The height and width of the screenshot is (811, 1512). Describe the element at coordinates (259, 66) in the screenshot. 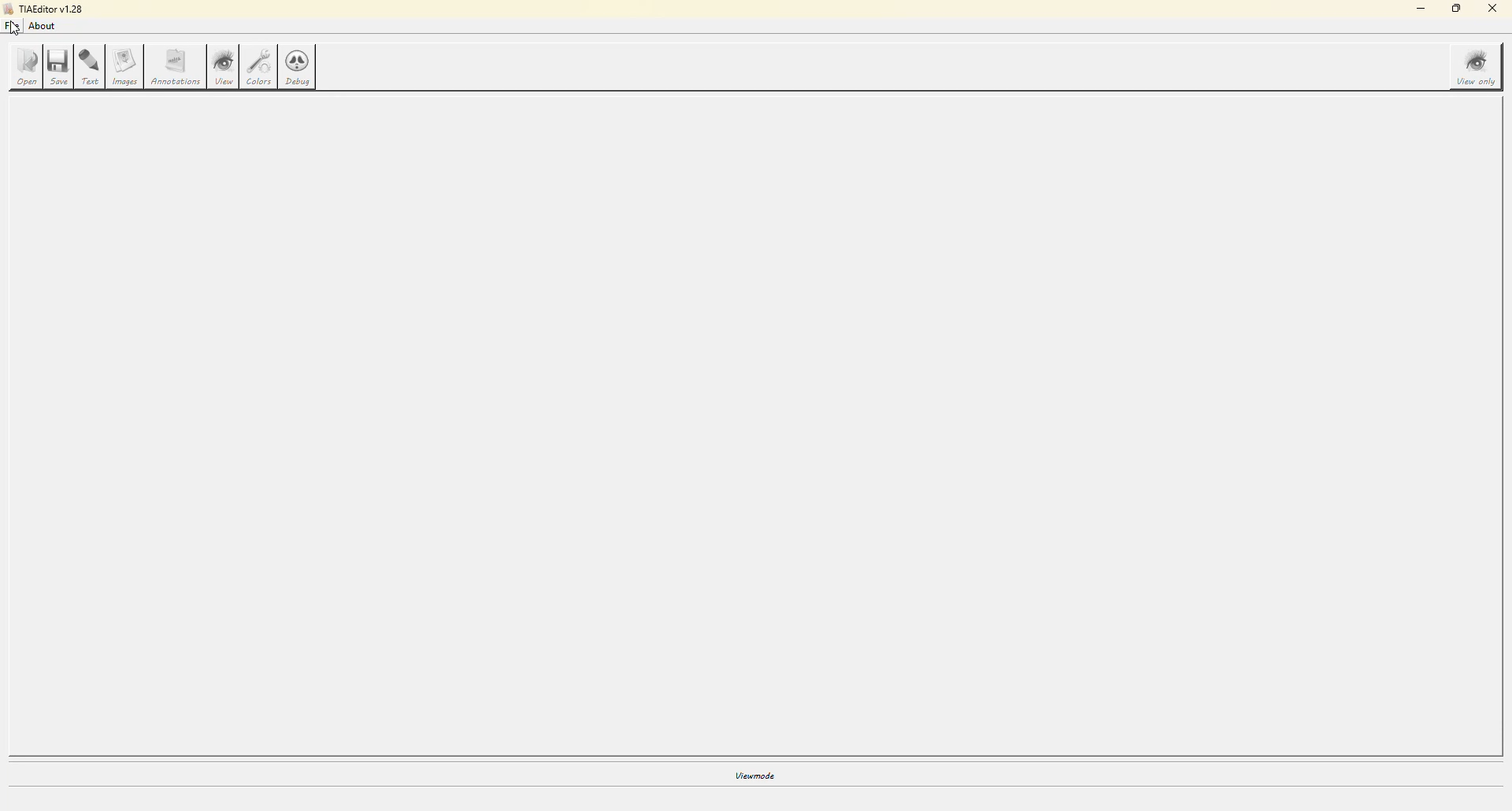

I see `colors` at that location.